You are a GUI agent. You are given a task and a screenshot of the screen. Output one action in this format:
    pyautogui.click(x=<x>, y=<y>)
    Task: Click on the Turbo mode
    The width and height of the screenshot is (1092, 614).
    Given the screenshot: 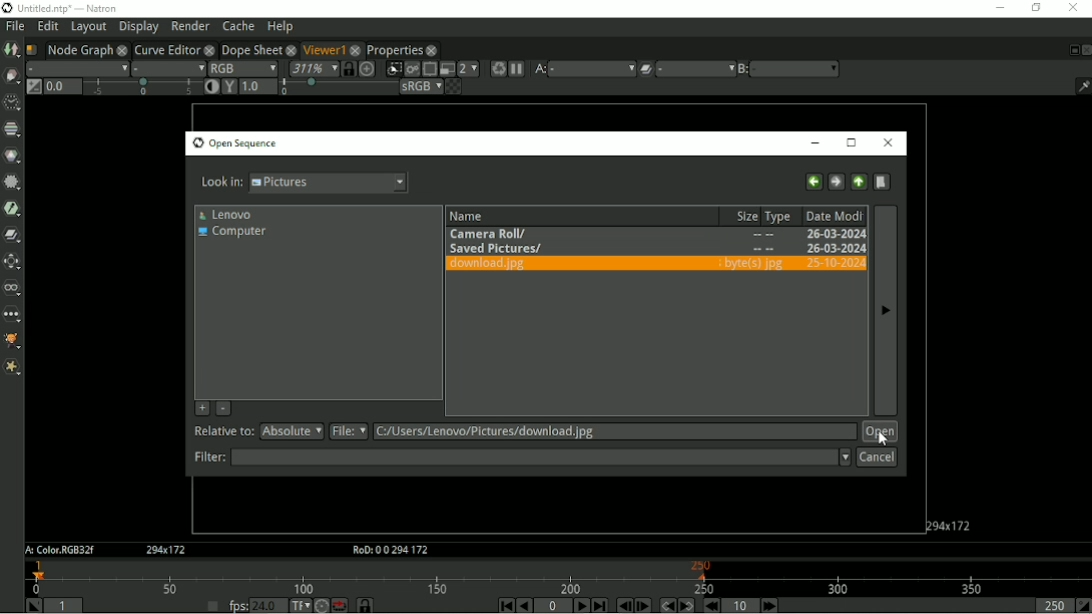 What is the action you would take?
    pyautogui.click(x=321, y=605)
    